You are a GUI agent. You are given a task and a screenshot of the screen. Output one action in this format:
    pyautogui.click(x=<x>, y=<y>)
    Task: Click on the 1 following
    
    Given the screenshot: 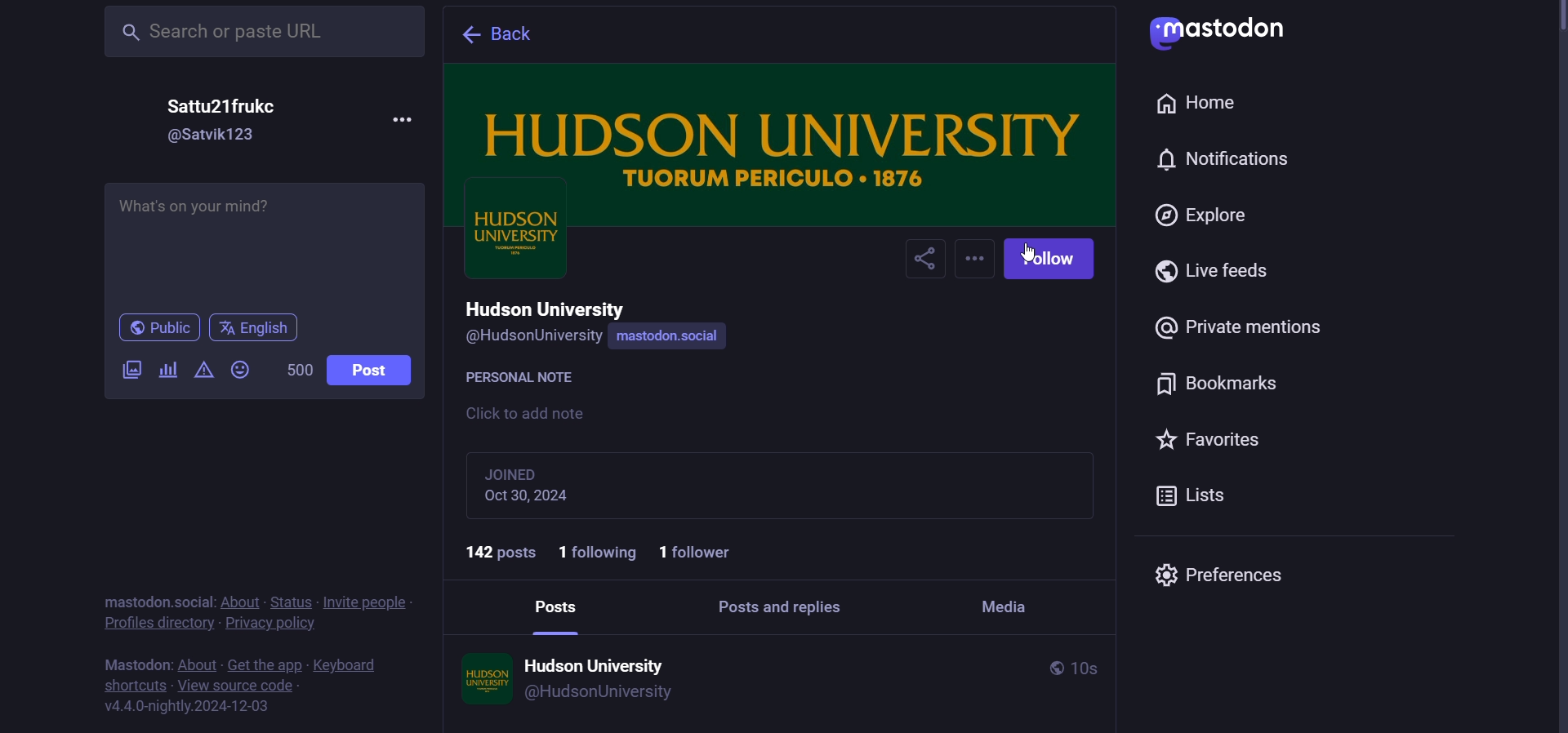 What is the action you would take?
    pyautogui.click(x=599, y=553)
    